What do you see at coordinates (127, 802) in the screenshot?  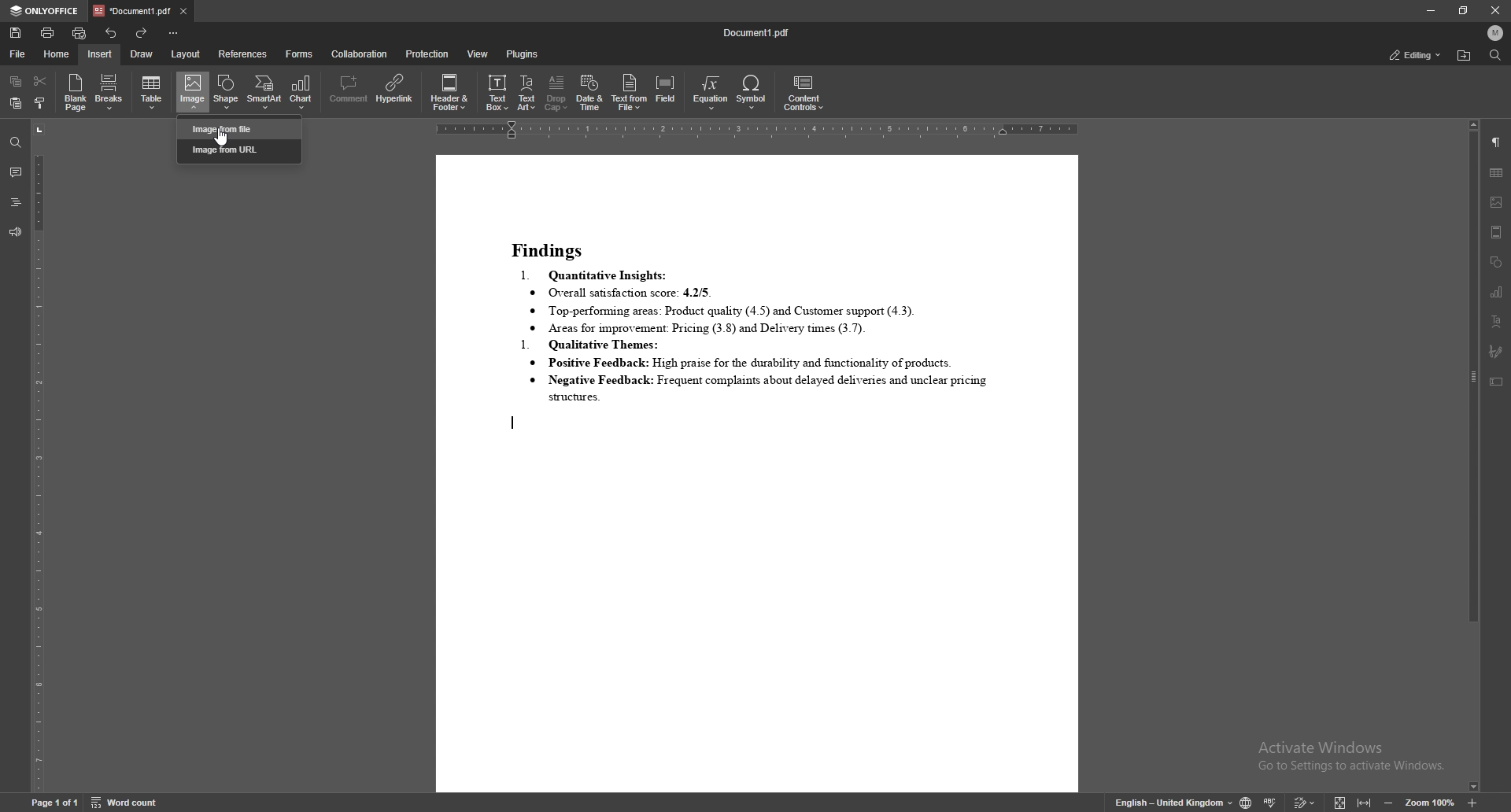 I see `word count` at bounding box center [127, 802].